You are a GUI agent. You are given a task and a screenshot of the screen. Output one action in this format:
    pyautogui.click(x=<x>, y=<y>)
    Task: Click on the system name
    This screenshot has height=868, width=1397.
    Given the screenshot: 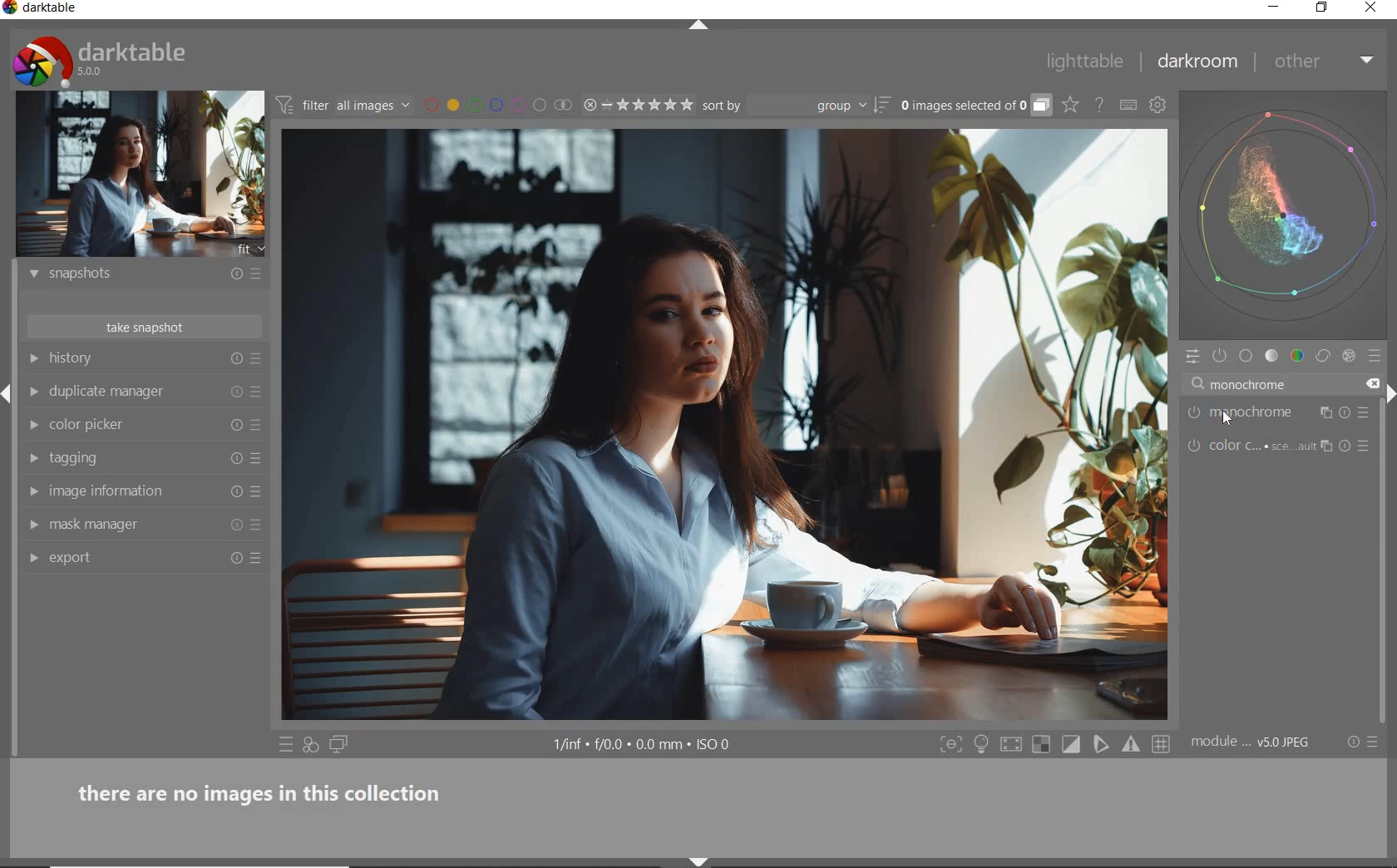 What is the action you would take?
    pyautogui.click(x=42, y=9)
    